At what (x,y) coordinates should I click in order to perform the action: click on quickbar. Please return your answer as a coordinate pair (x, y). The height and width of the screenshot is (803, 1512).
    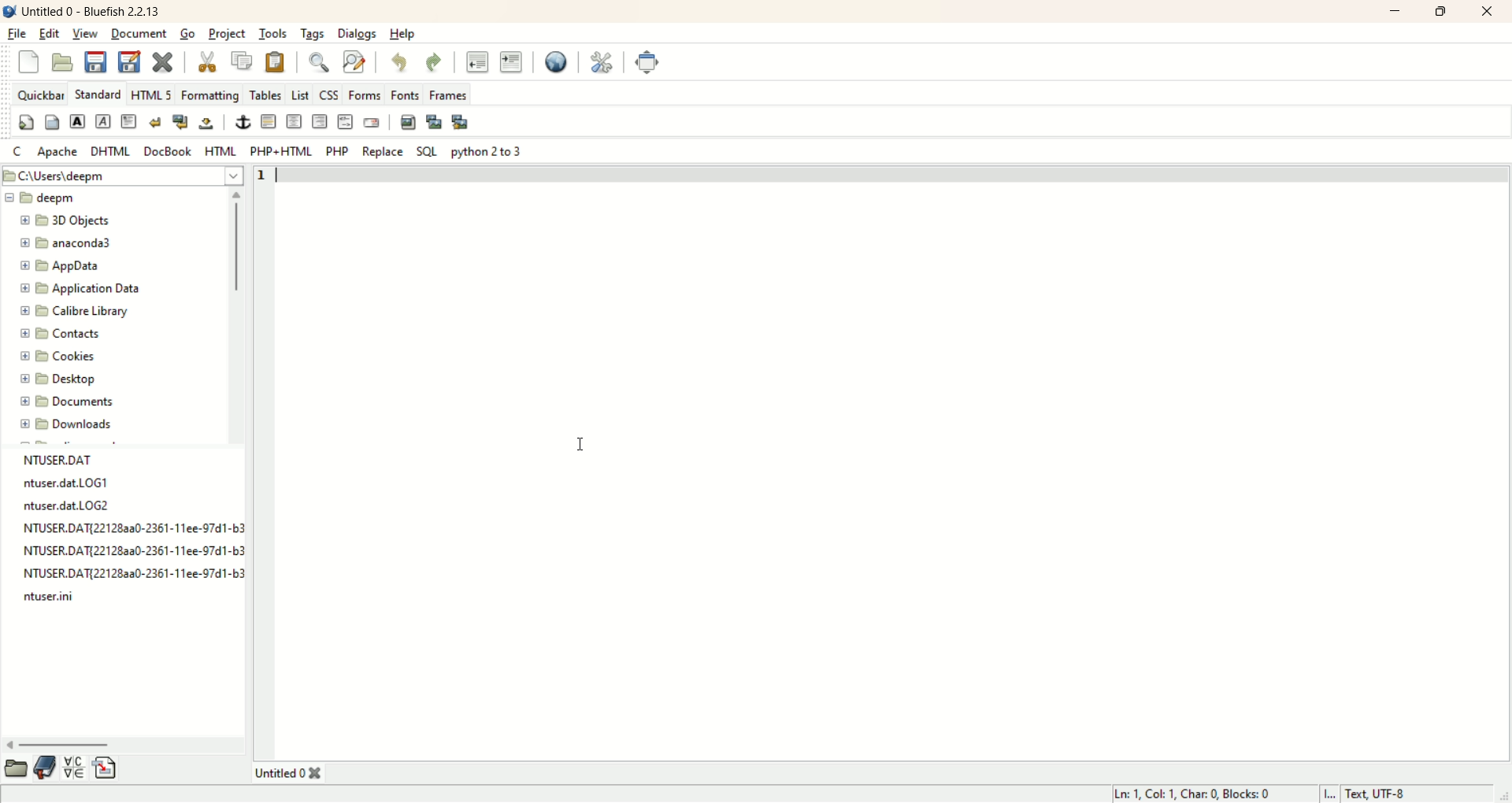
    Looking at the image, I should click on (40, 94).